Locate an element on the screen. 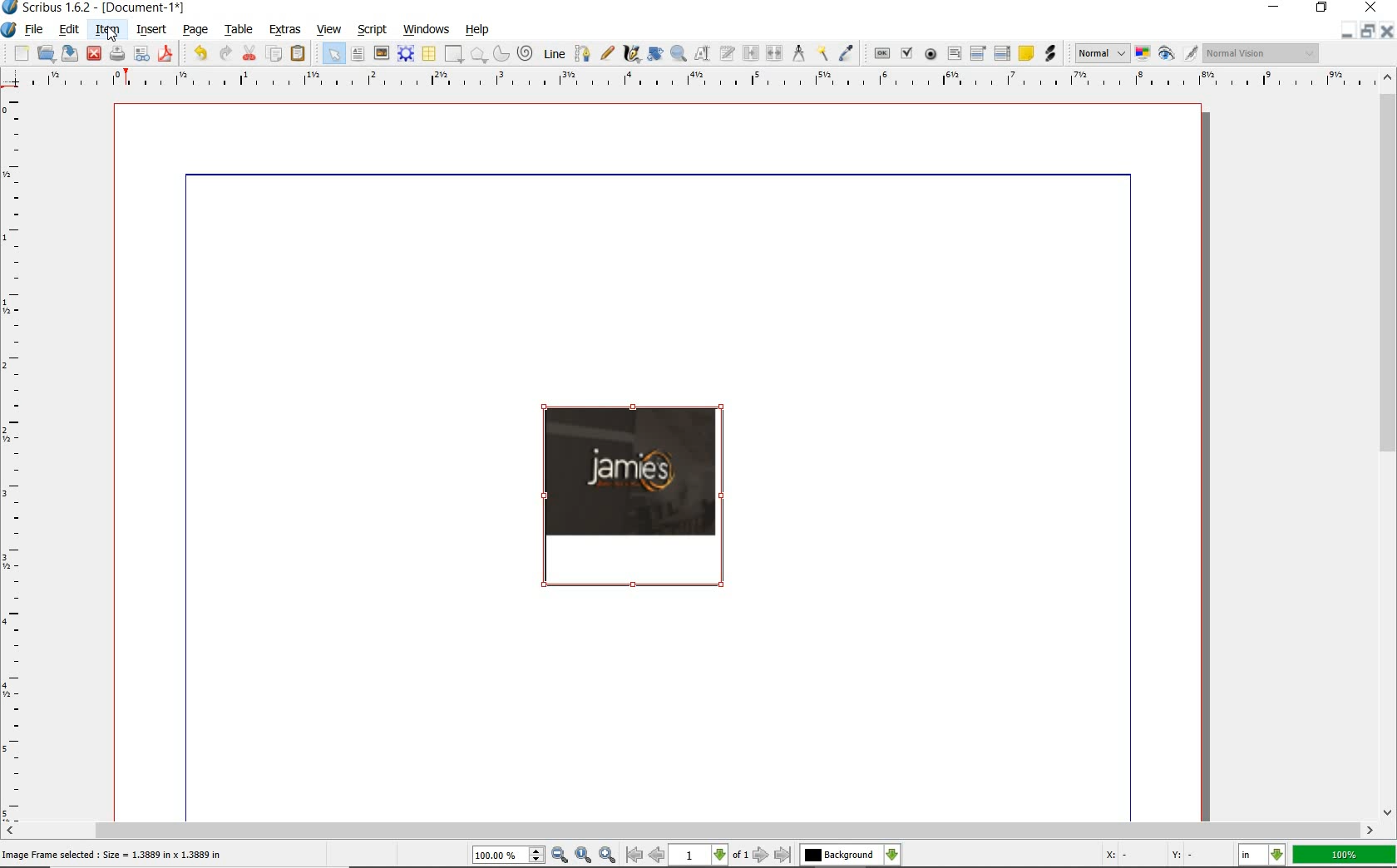  edit text with story editor is located at coordinates (728, 53).